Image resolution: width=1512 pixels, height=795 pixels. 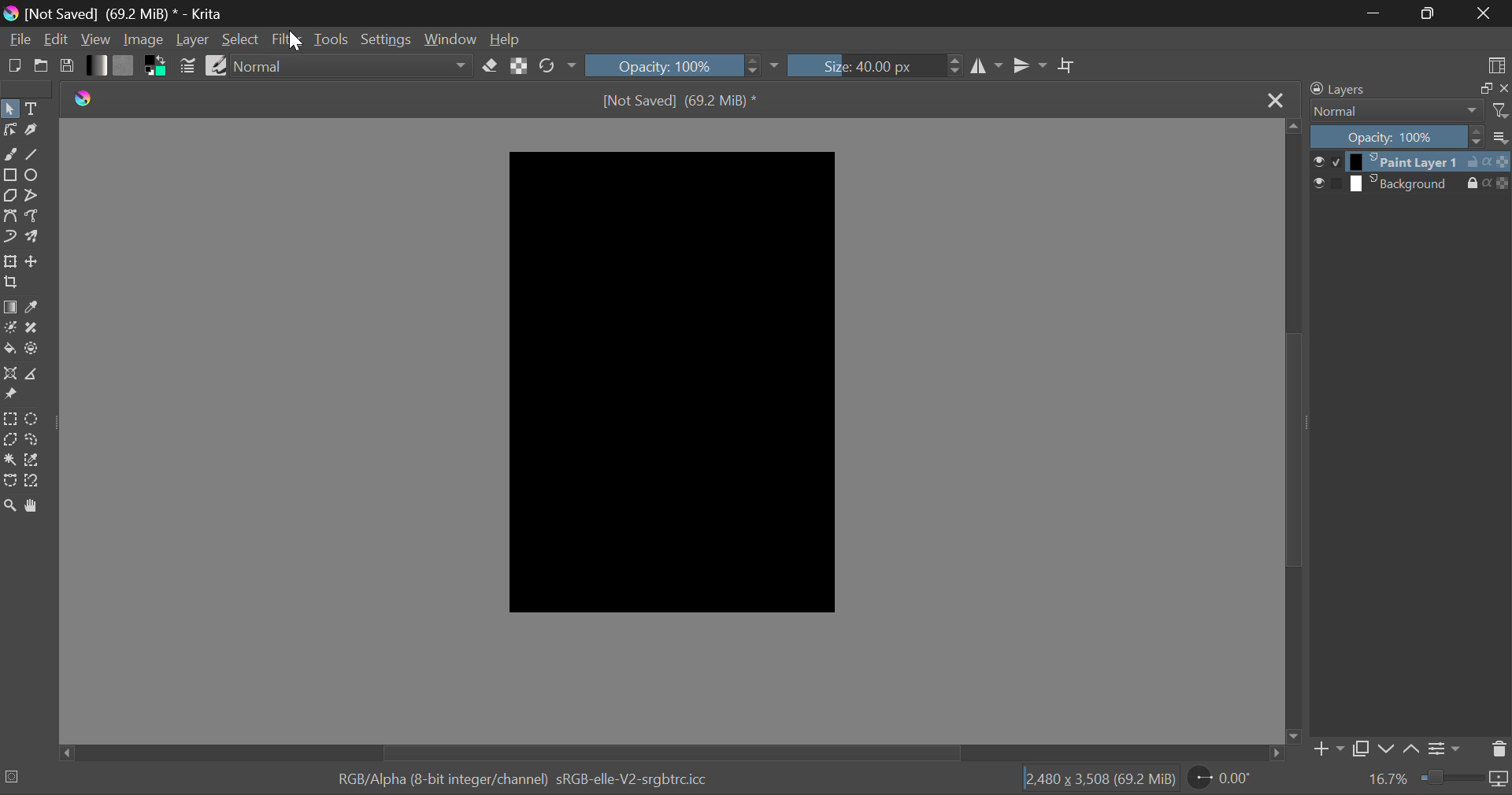 I want to click on Edit Shapes, so click(x=9, y=133).